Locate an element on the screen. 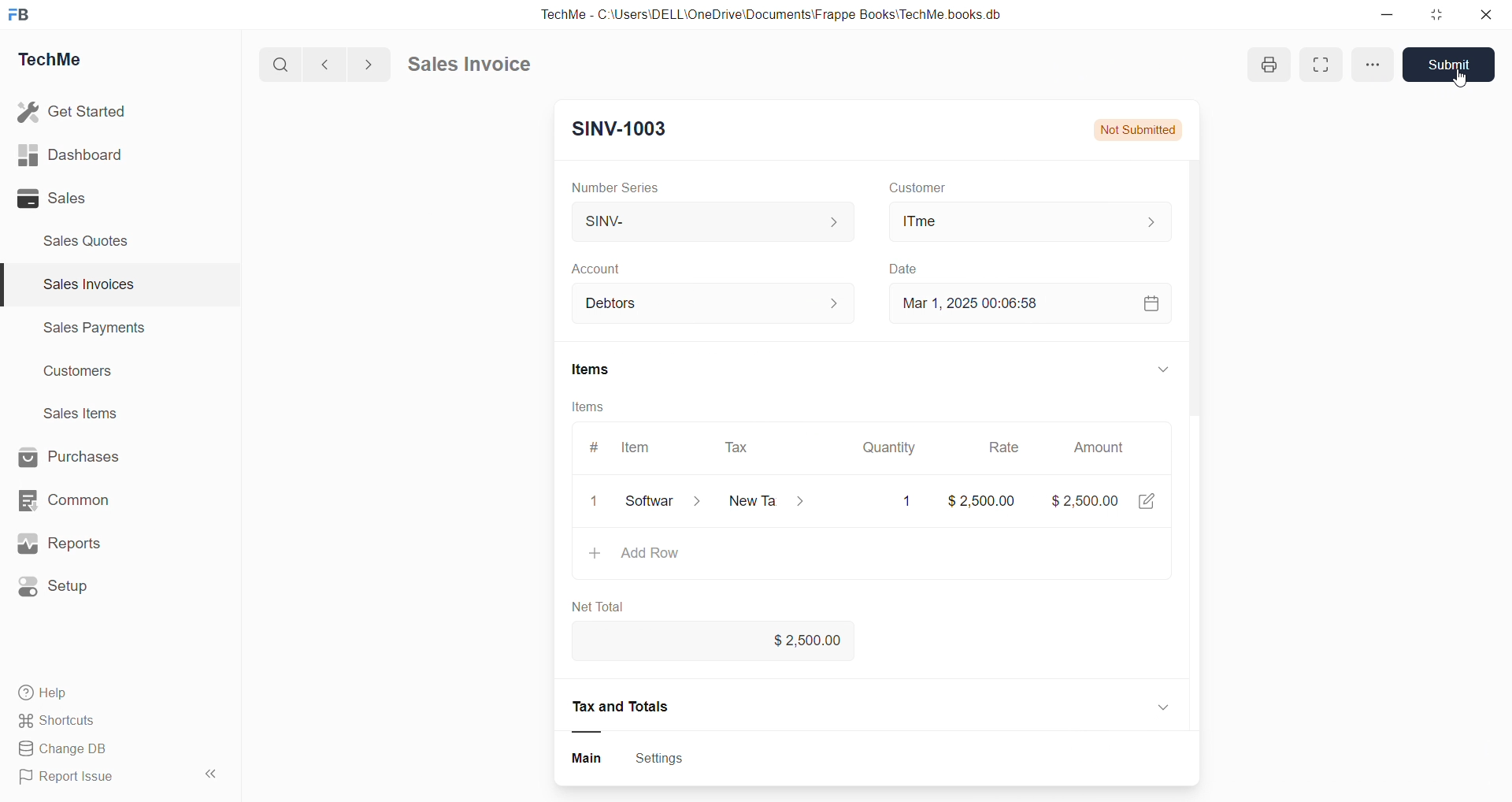  Number Series is located at coordinates (621, 186).